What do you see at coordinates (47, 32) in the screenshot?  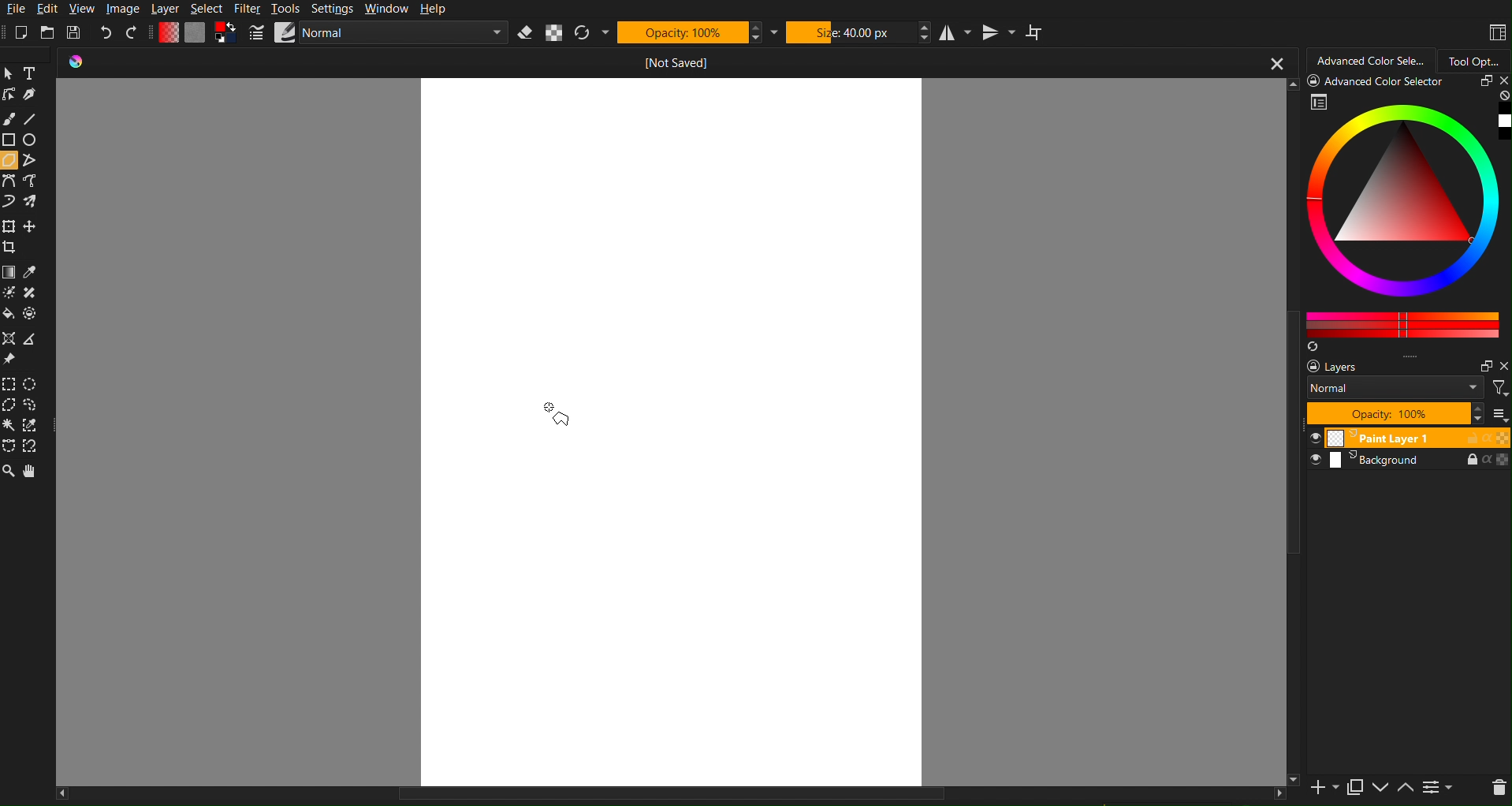 I see `Open` at bounding box center [47, 32].